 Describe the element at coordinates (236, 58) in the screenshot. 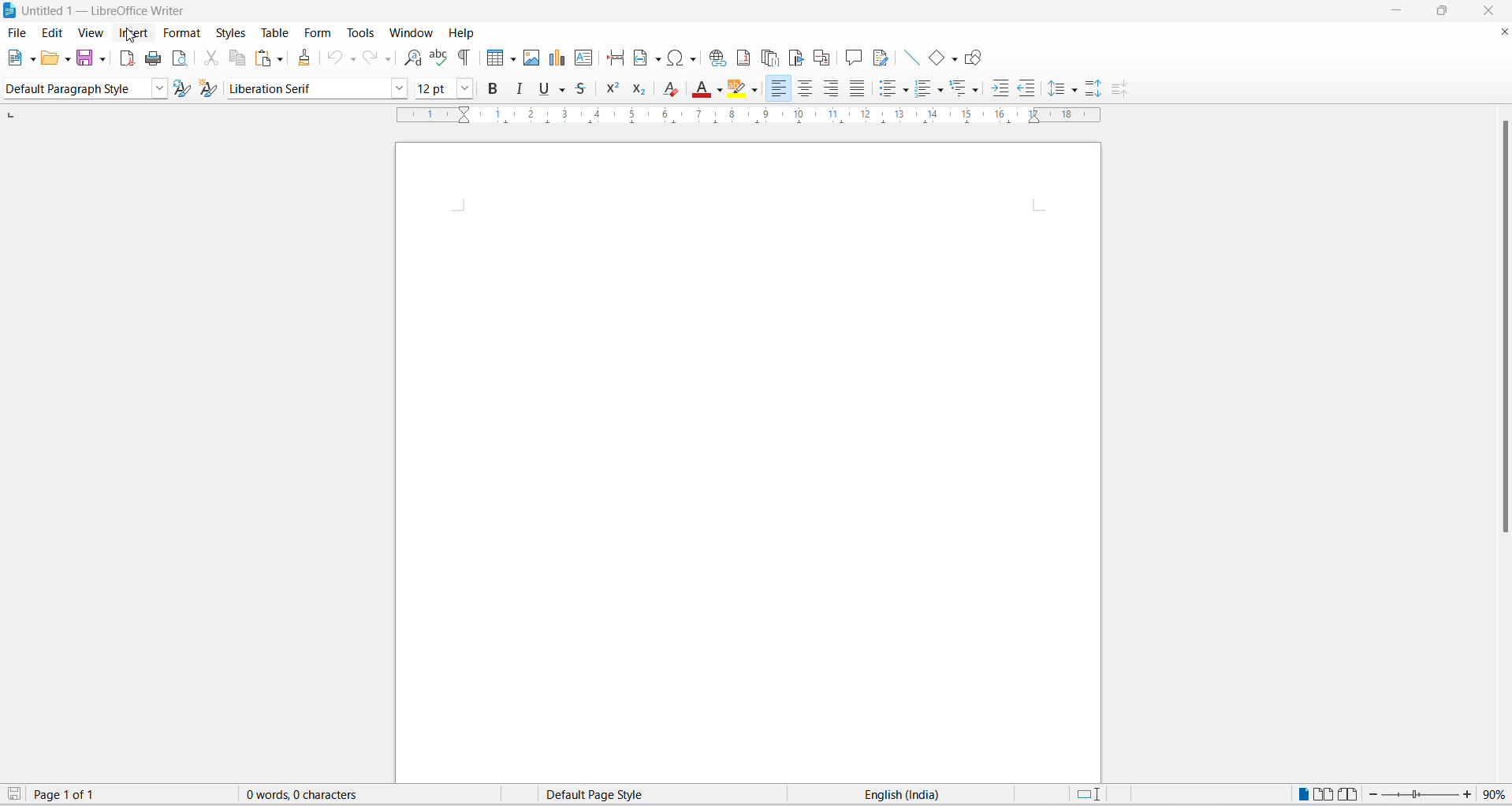

I see `copy` at that location.